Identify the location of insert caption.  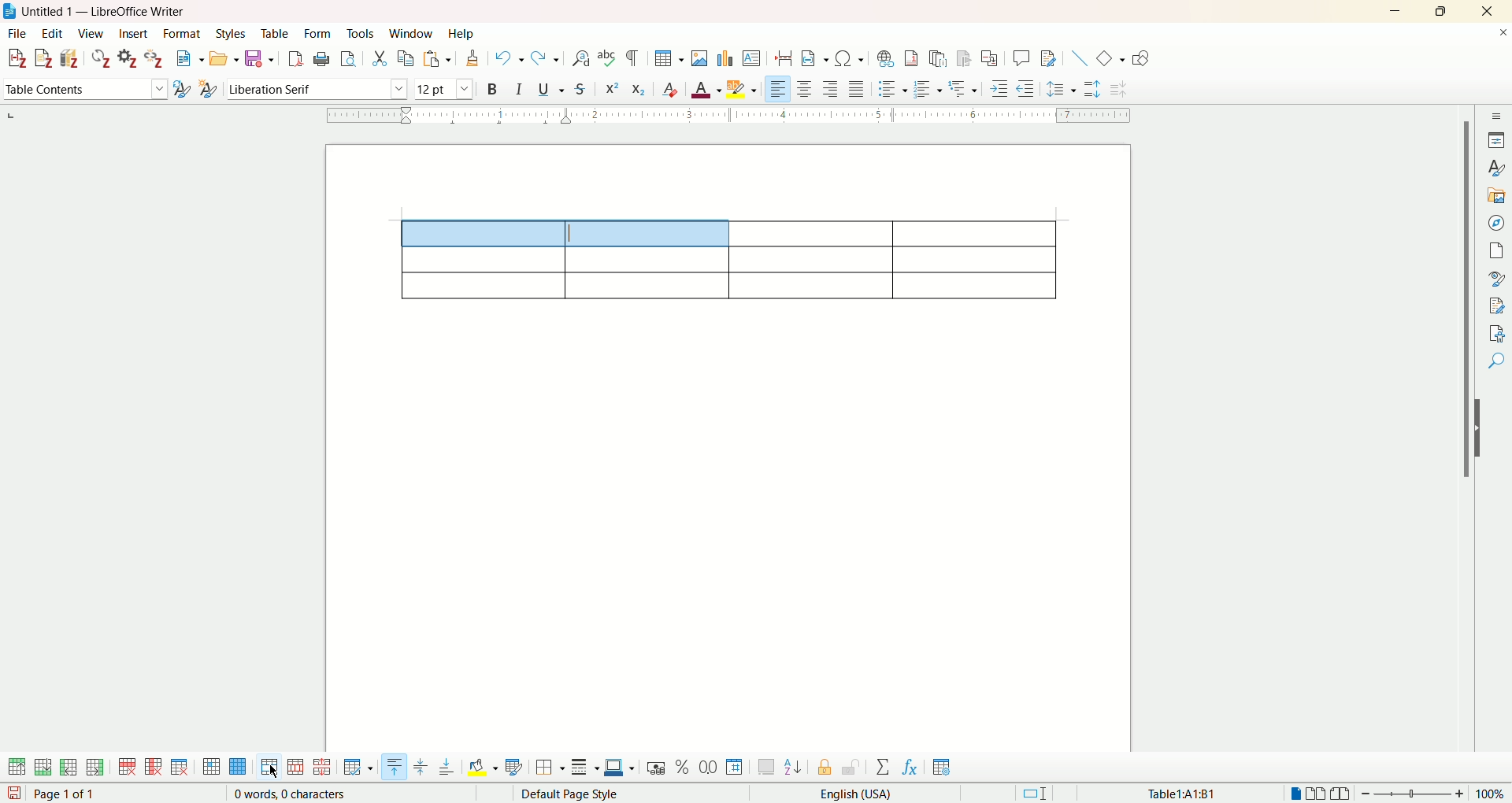
(766, 765).